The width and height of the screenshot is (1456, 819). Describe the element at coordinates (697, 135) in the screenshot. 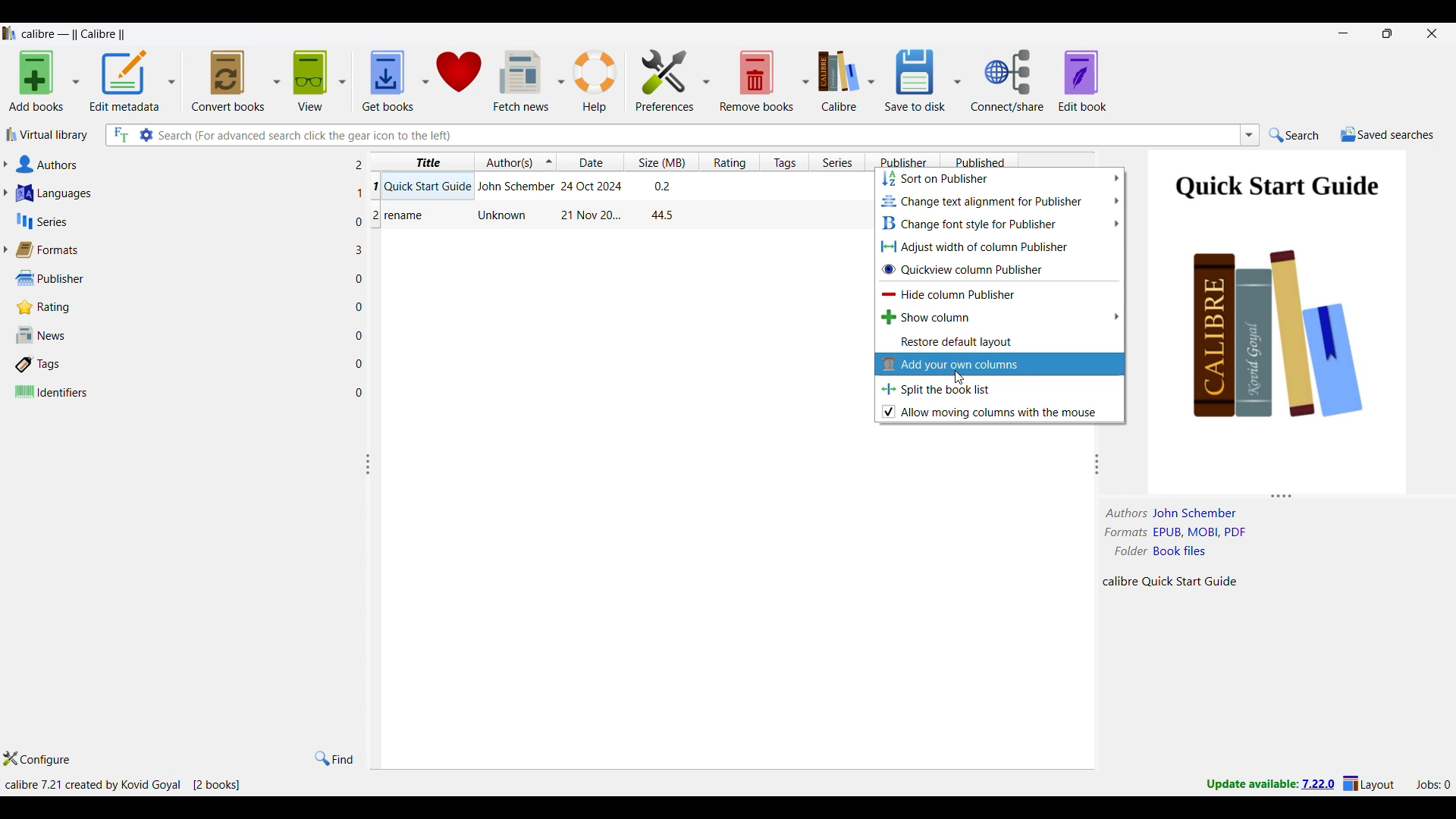

I see `Input search here` at that location.